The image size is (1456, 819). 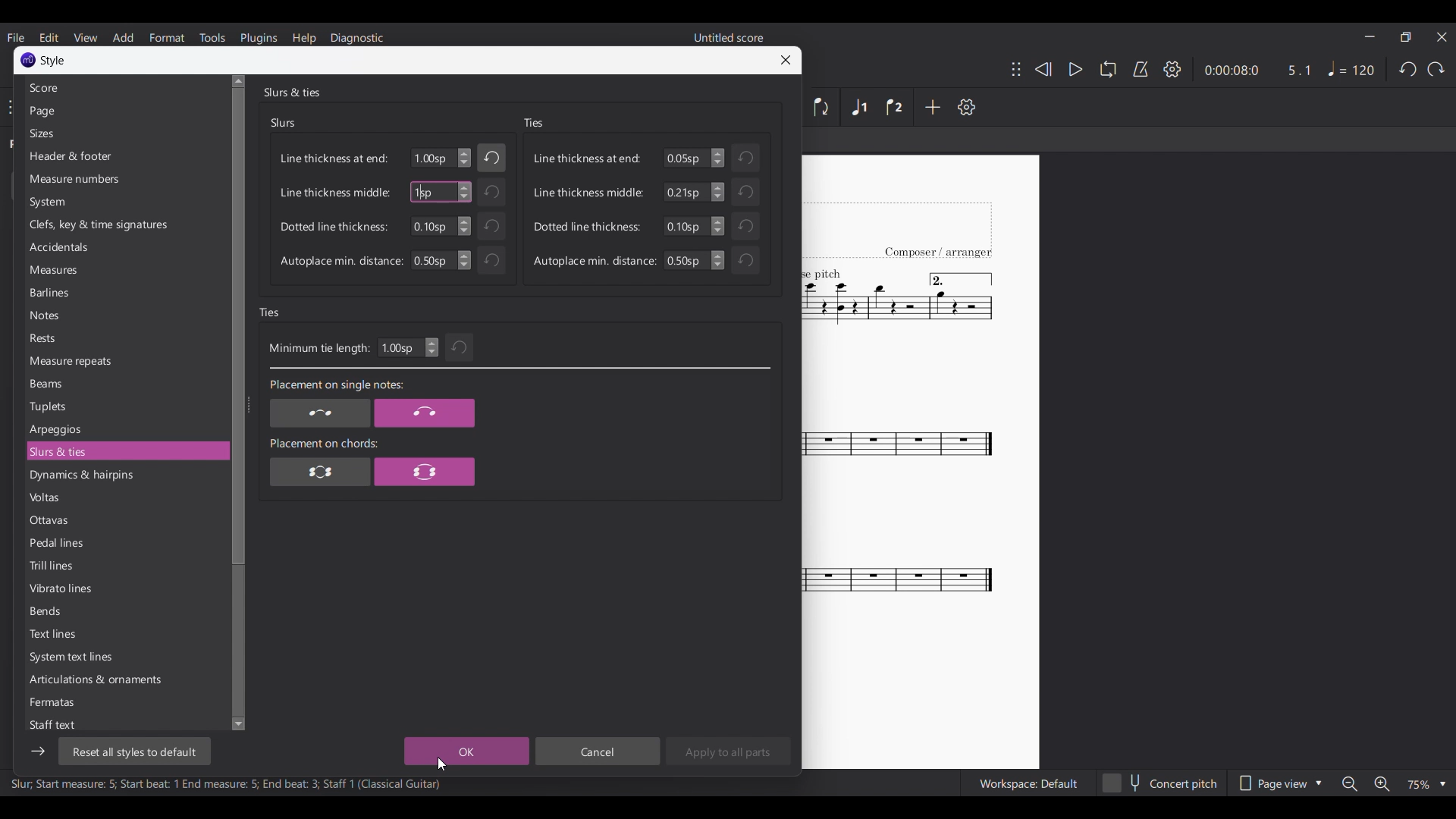 I want to click on Increase/Decrease minimum tie length, so click(x=431, y=347).